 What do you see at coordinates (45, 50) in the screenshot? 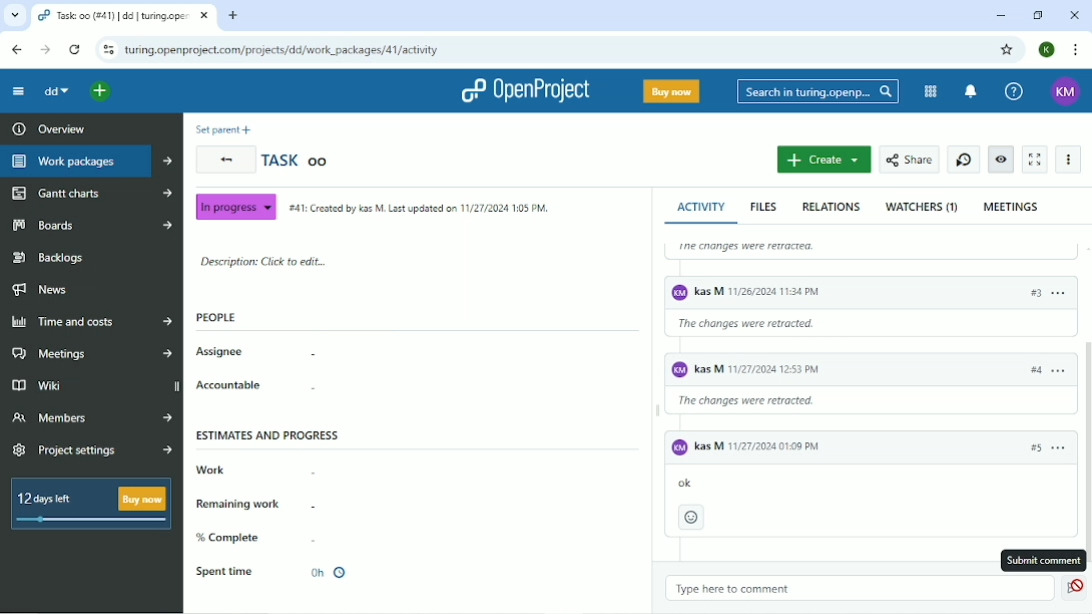
I see `Forward` at bounding box center [45, 50].